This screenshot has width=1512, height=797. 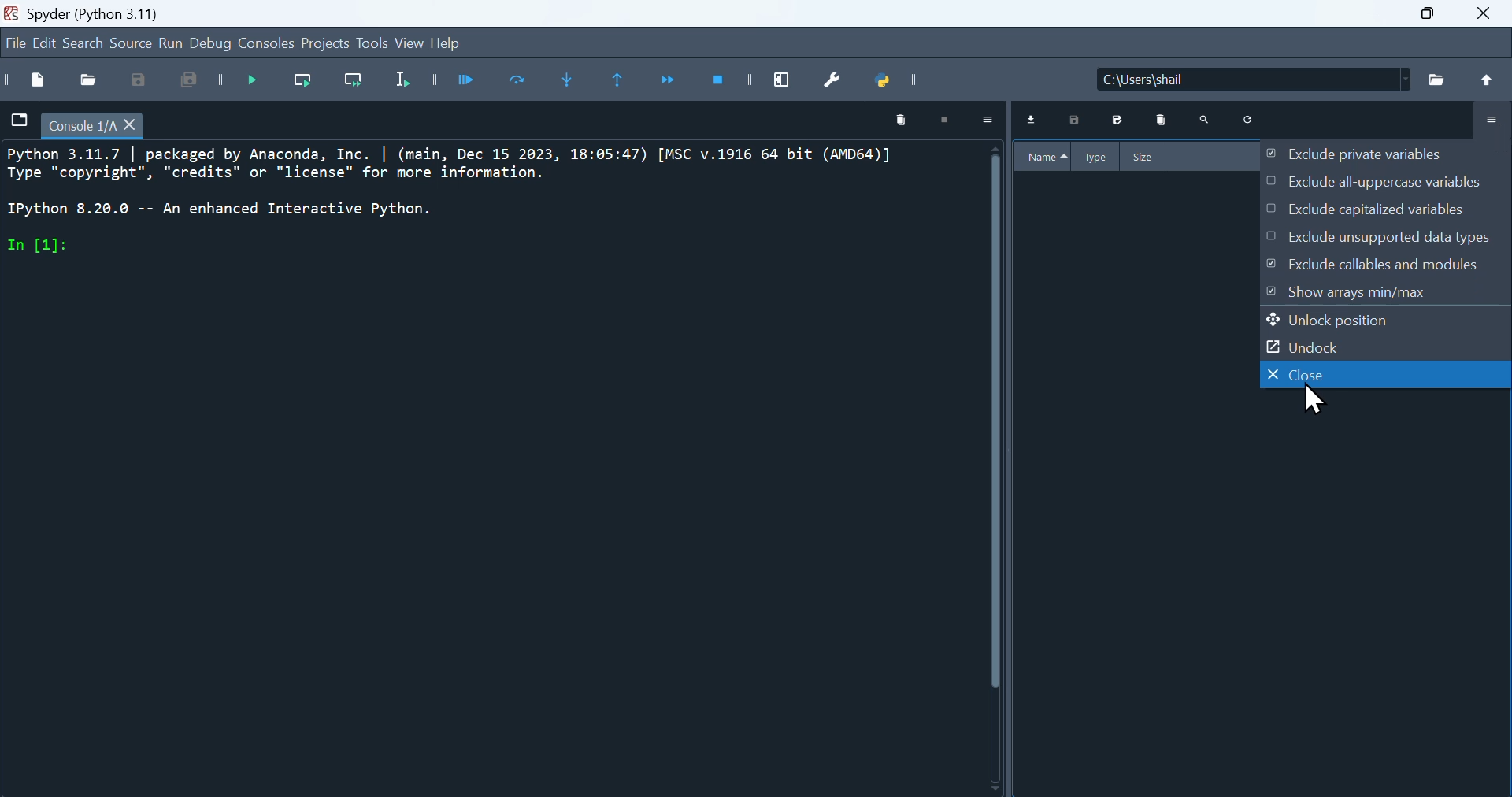 I want to click on Save as, so click(x=136, y=80).